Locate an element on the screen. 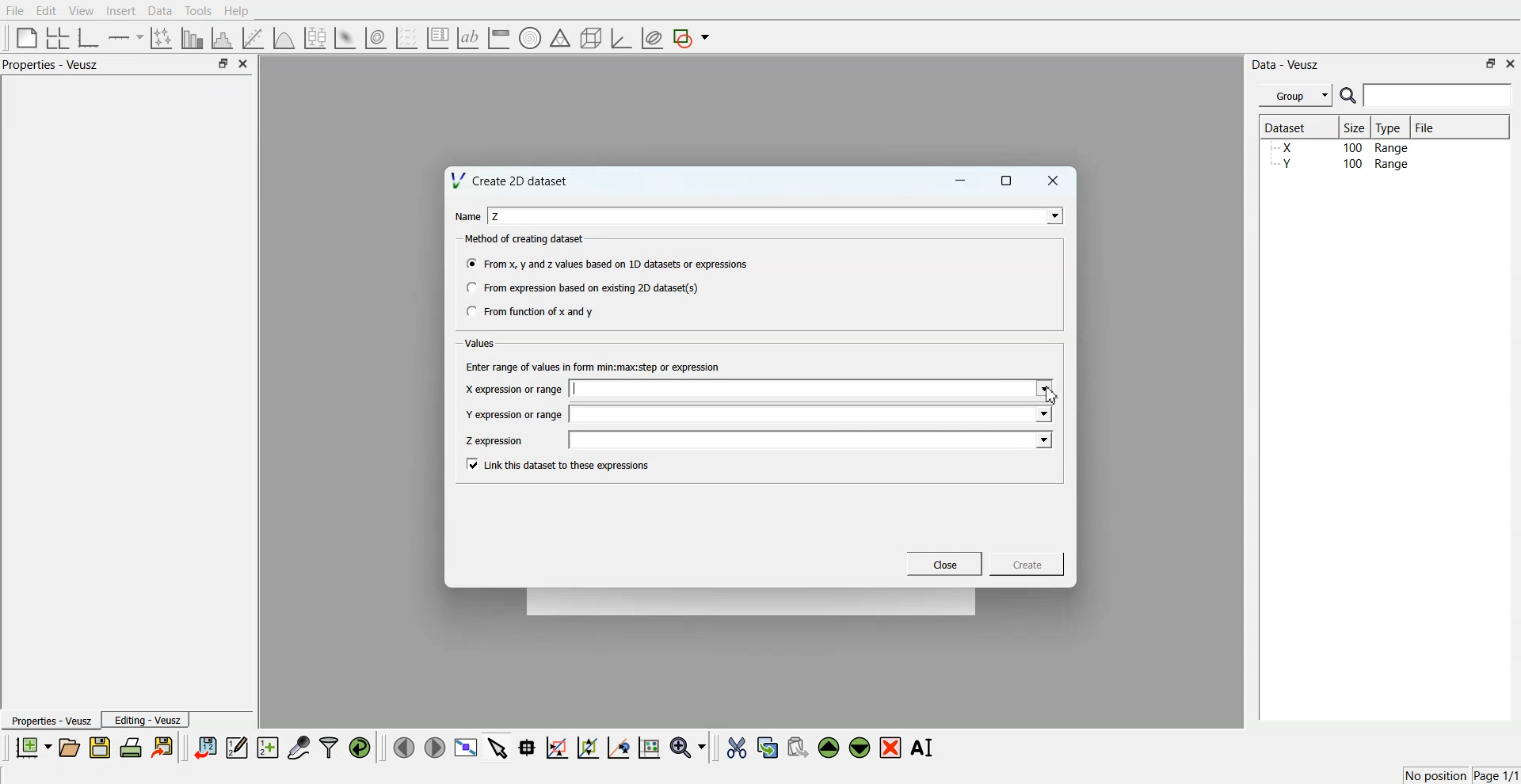  View plot full screen is located at coordinates (467, 747).